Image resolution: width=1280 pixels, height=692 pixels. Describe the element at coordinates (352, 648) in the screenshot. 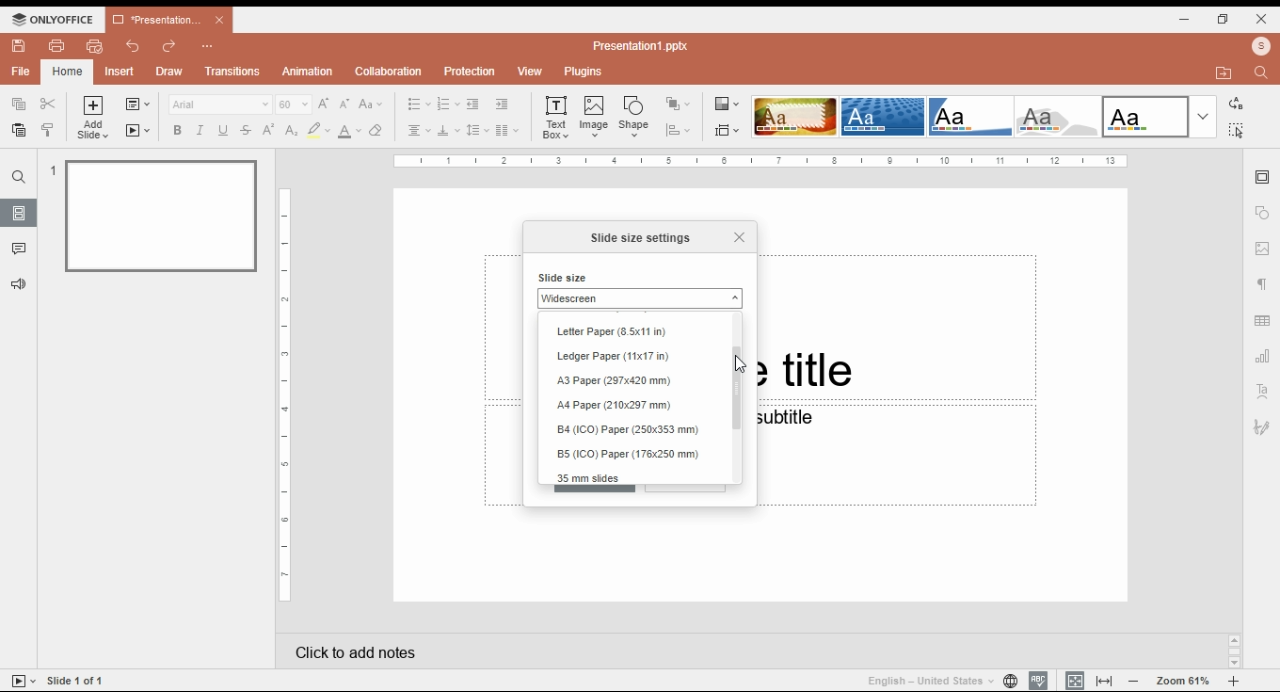

I see `click add notes` at that location.